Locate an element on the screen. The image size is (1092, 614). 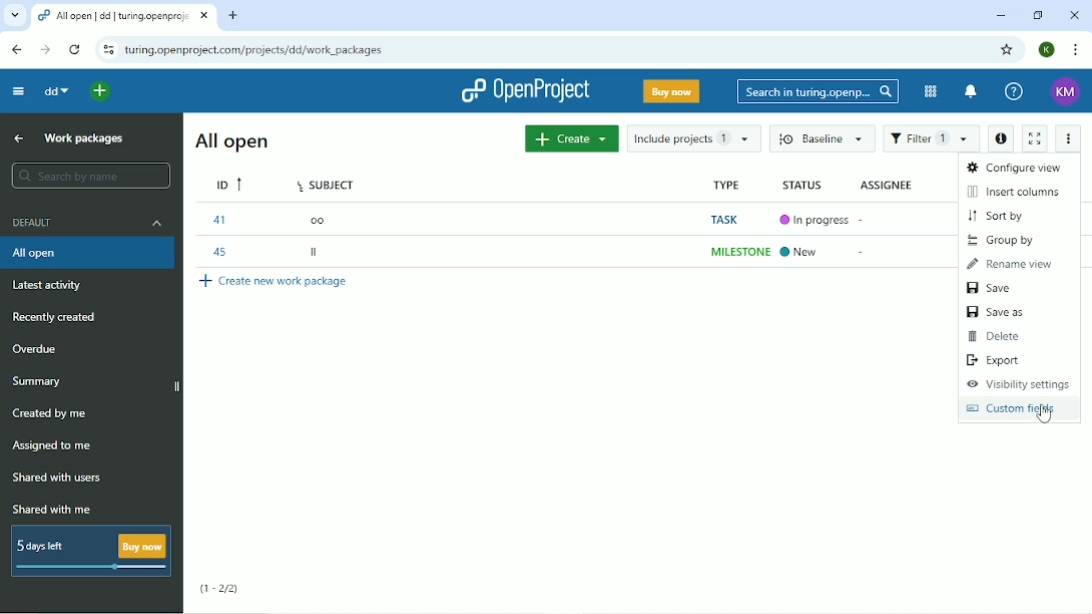
41 is located at coordinates (222, 220).